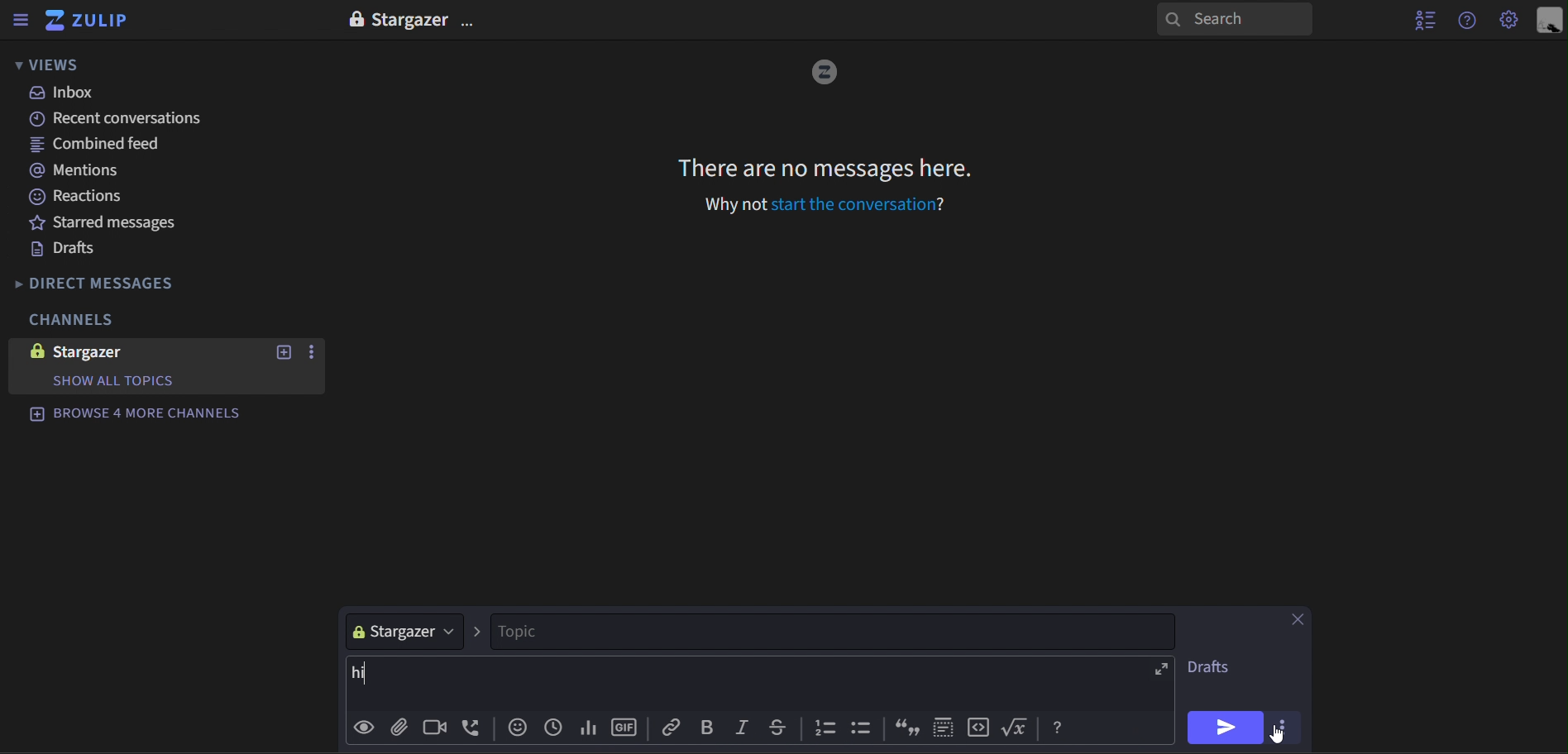  Describe the element at coordinates (1217, 667) in the screenshot. I see `drafts` at that location.